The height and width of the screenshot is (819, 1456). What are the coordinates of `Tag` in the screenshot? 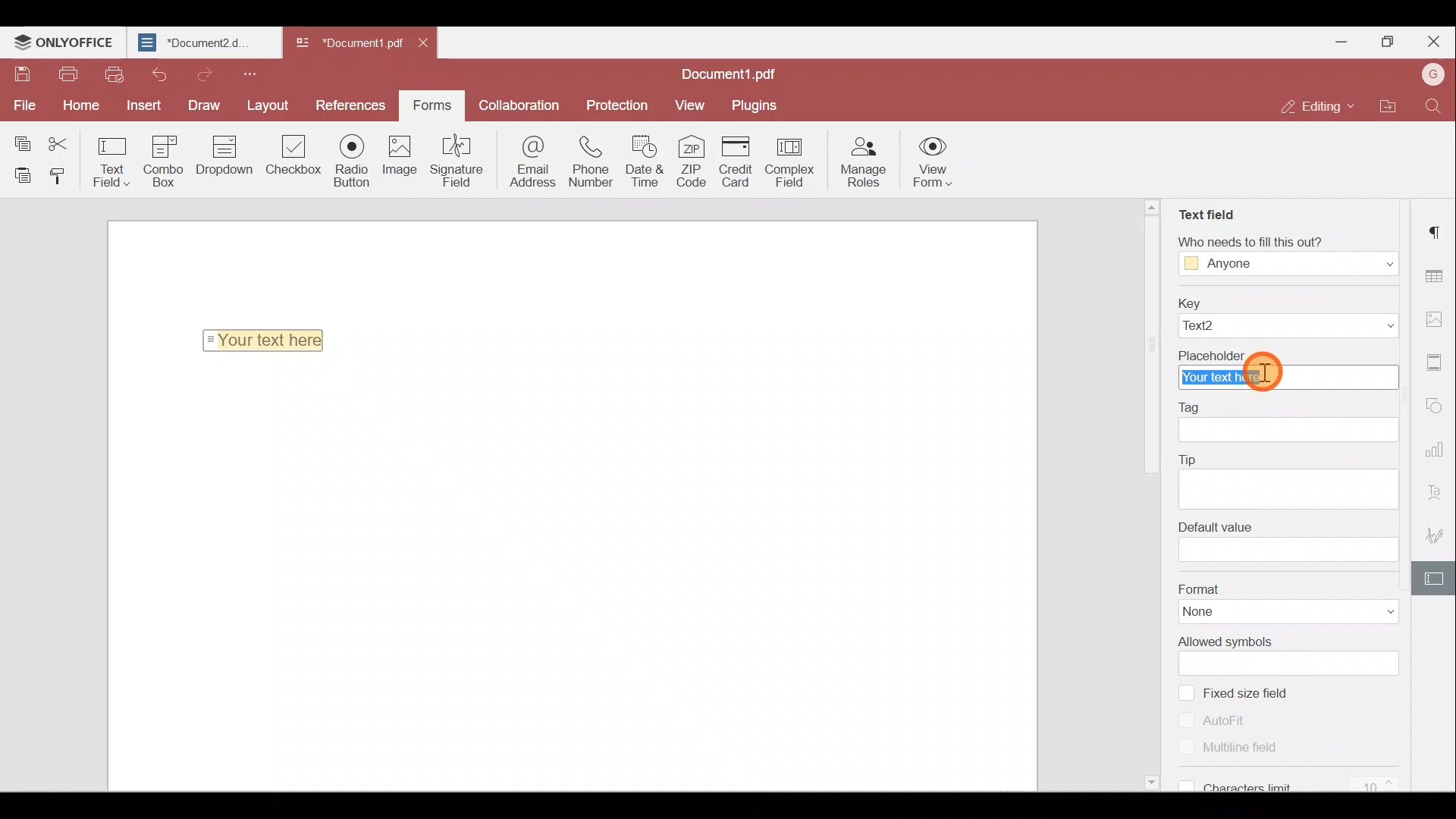 It's located at (1197, 406).